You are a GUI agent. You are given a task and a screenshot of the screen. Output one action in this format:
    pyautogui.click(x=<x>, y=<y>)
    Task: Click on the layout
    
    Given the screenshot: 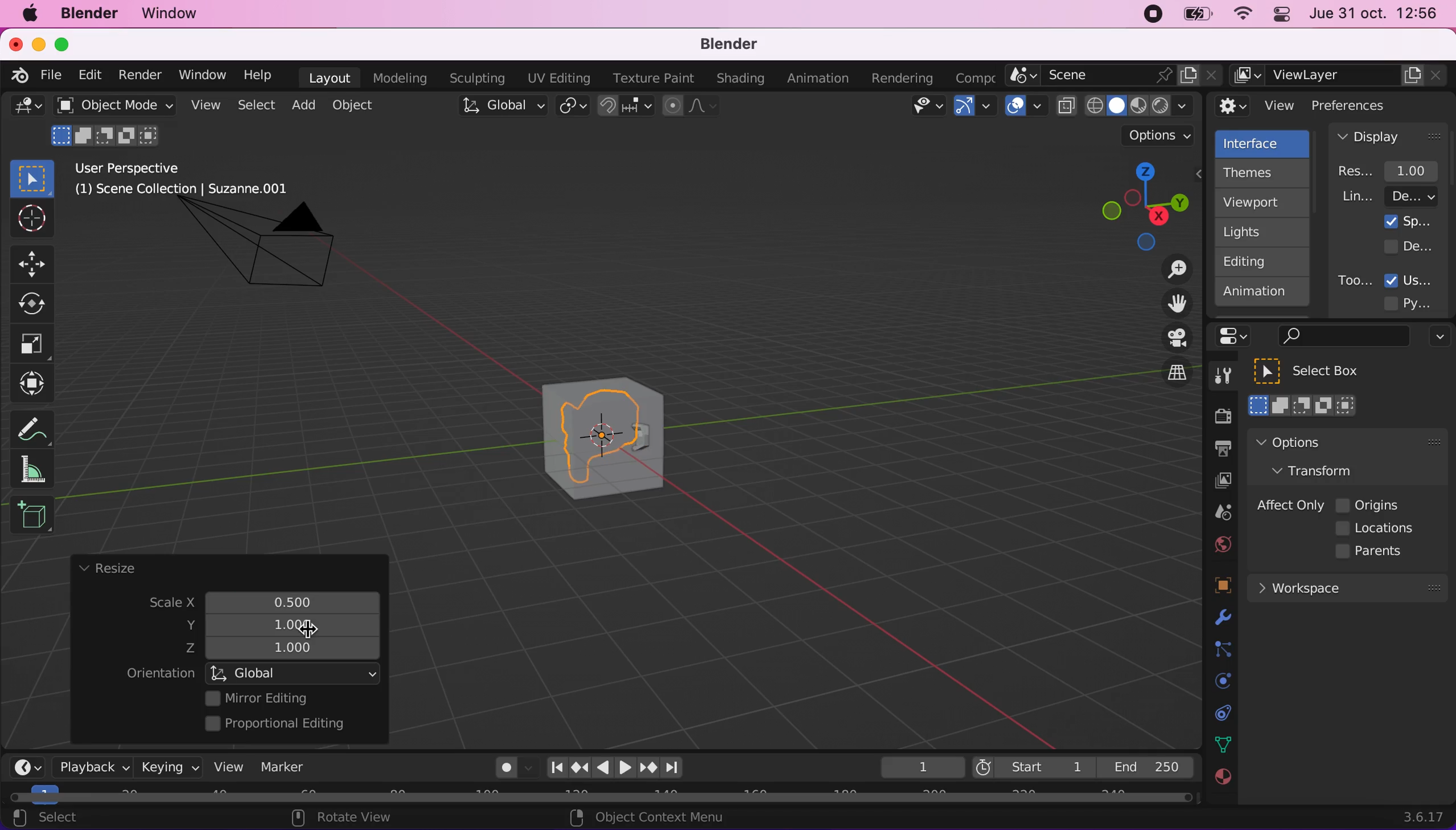 What is the action you would take?
    pyautogui.click(x=329, y=78)
    